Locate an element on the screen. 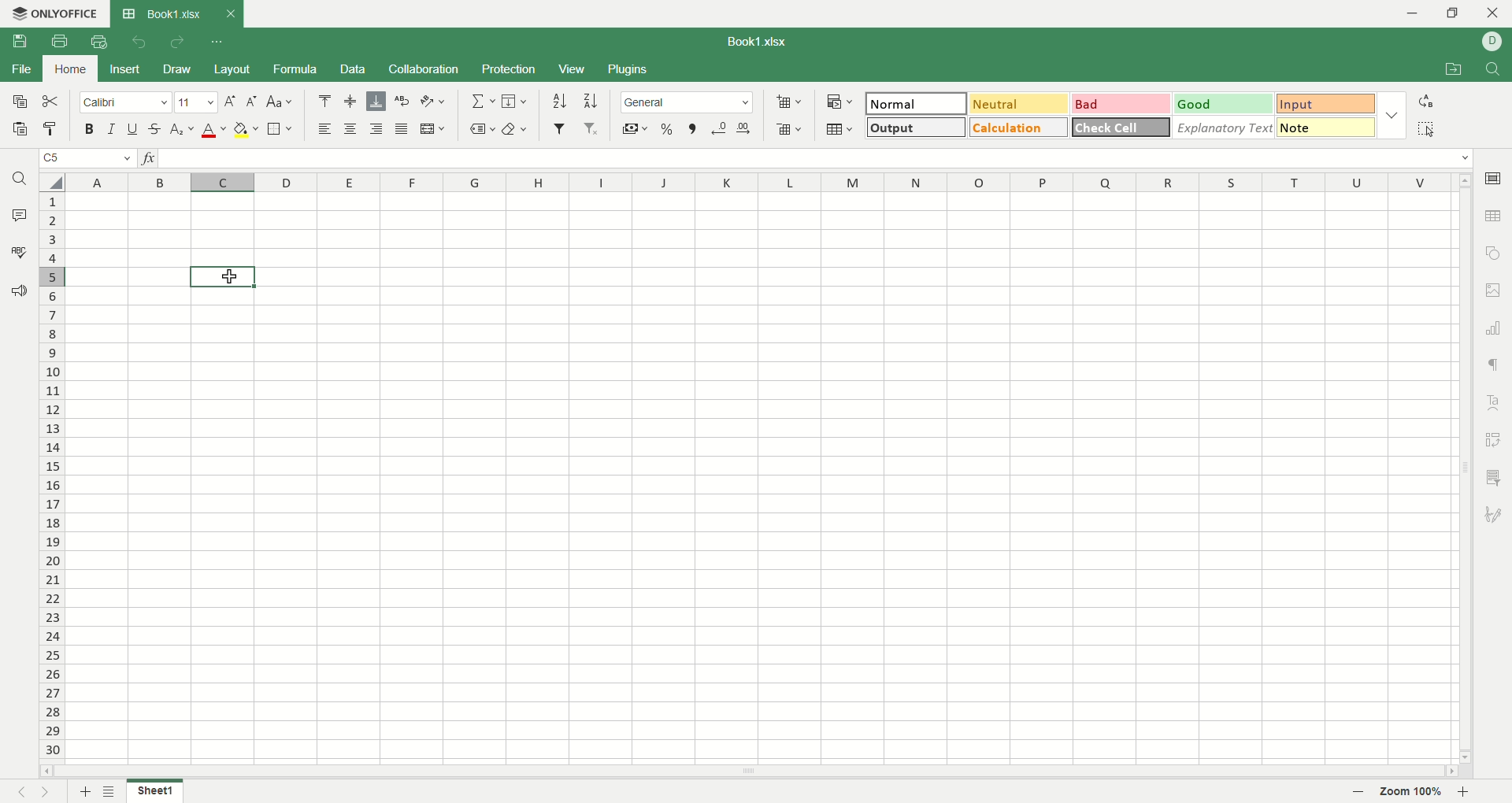 This screenshot has width=1512, height=803. close is located at coordinates (1494, 15).